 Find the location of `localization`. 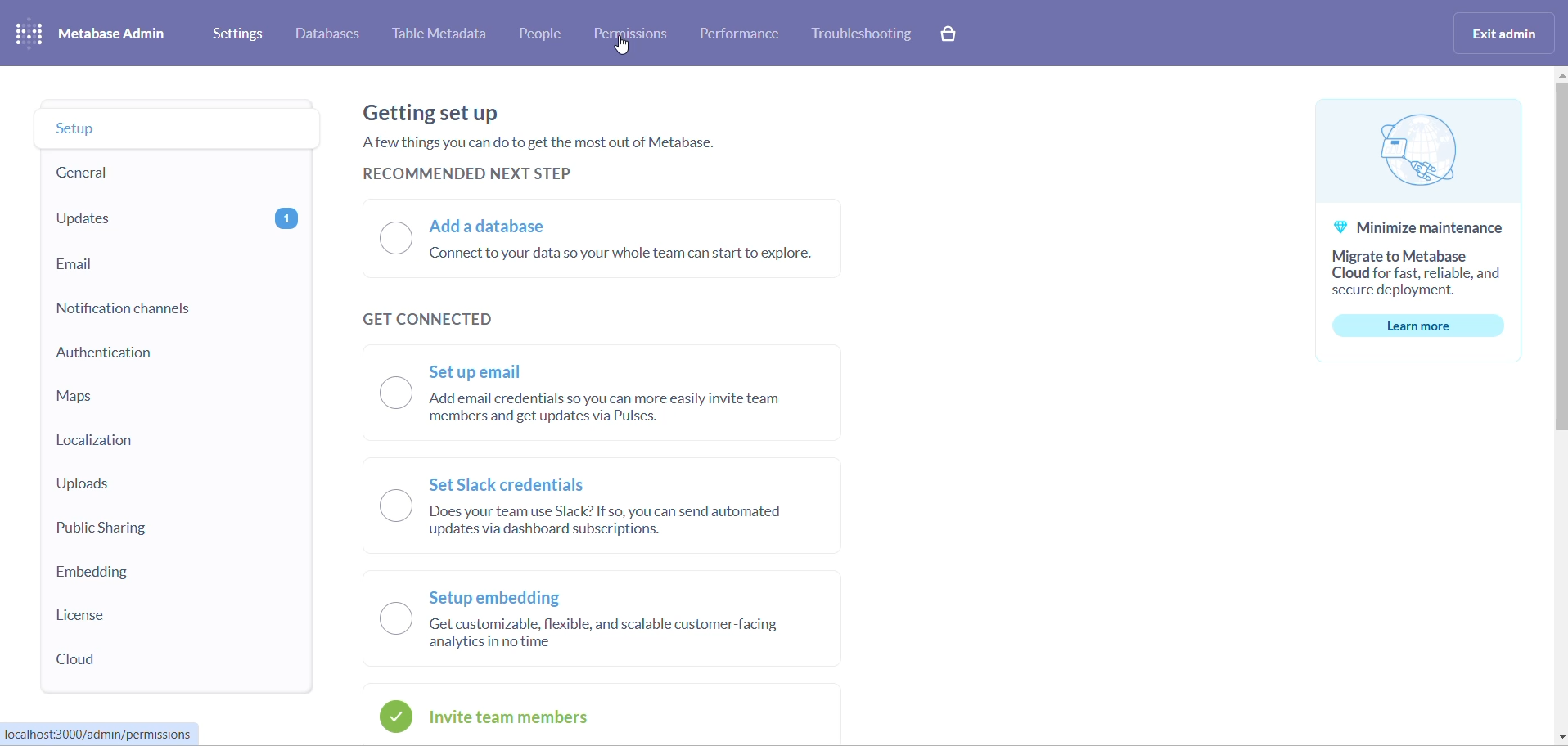

localization is located at coordinates (145, 443).